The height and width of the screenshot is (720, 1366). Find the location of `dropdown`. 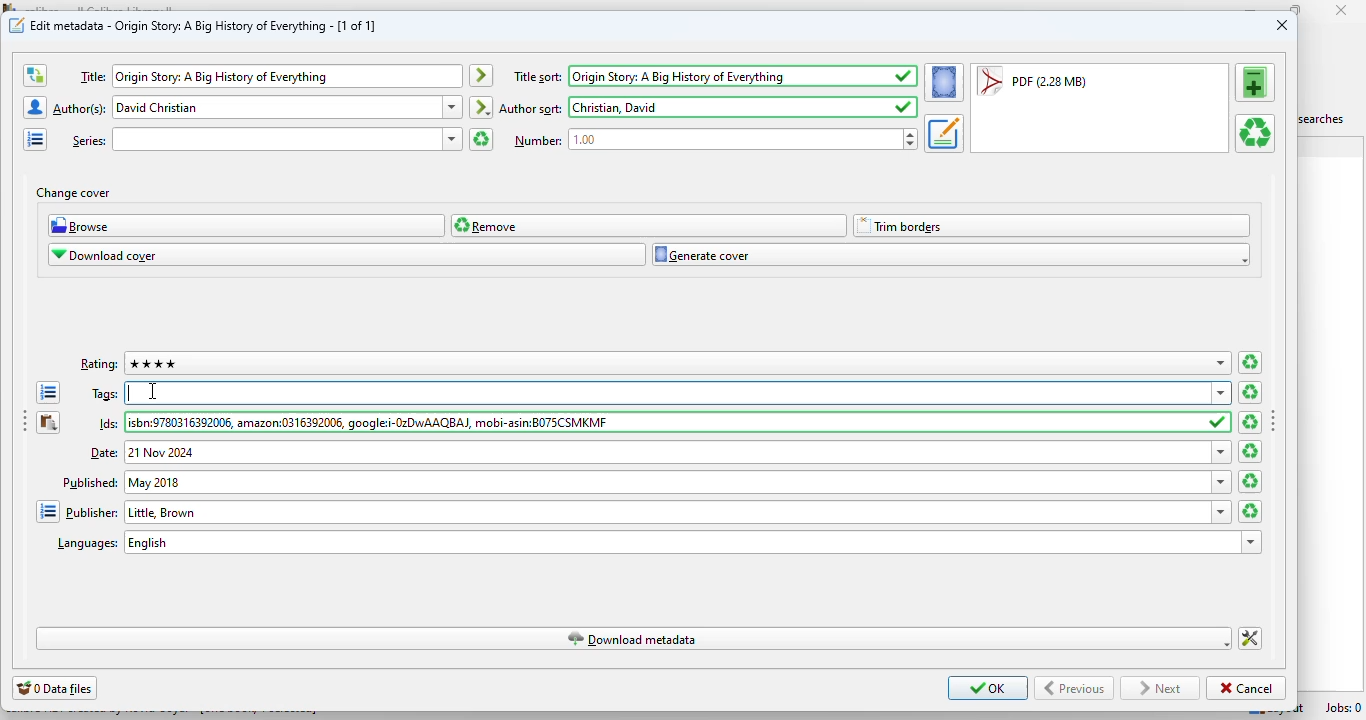

dropdown is located at coordinates (1222, 512).